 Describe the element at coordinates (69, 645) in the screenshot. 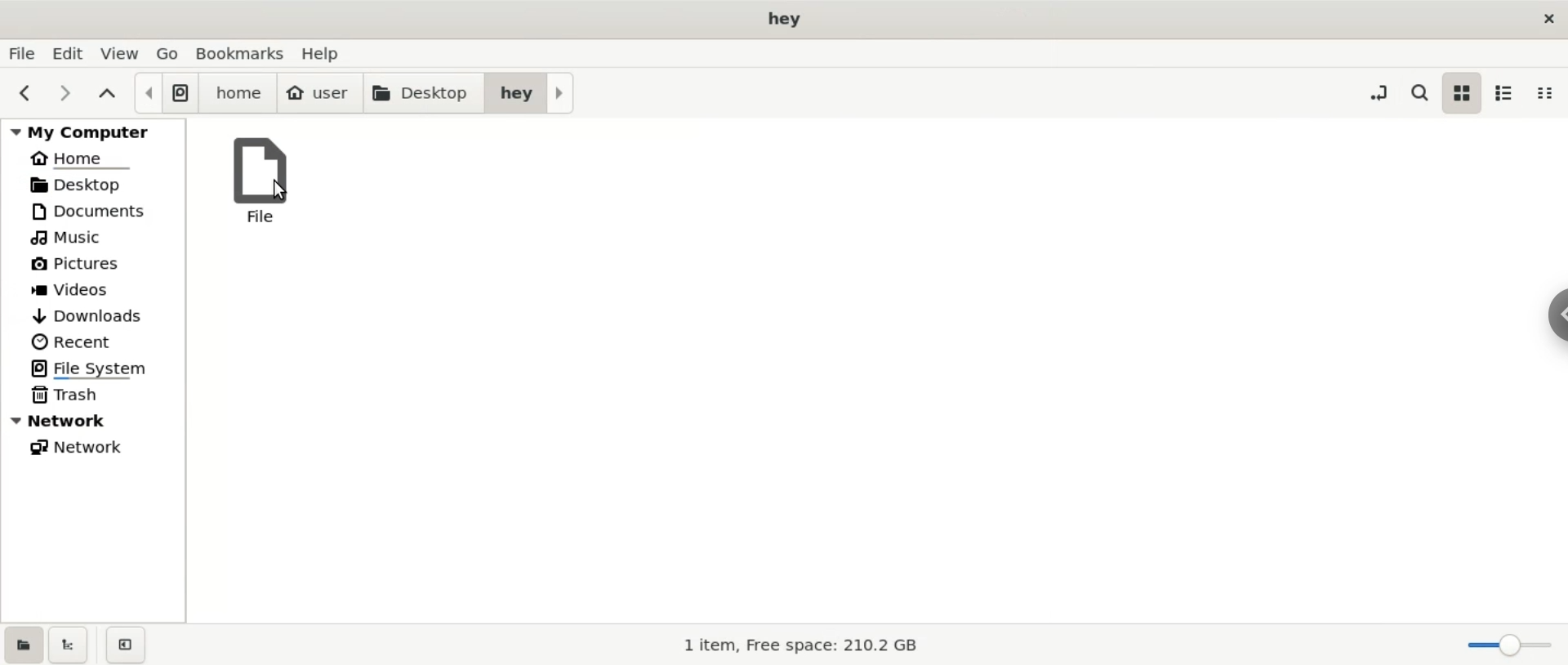

I see `show treeview` at that location.